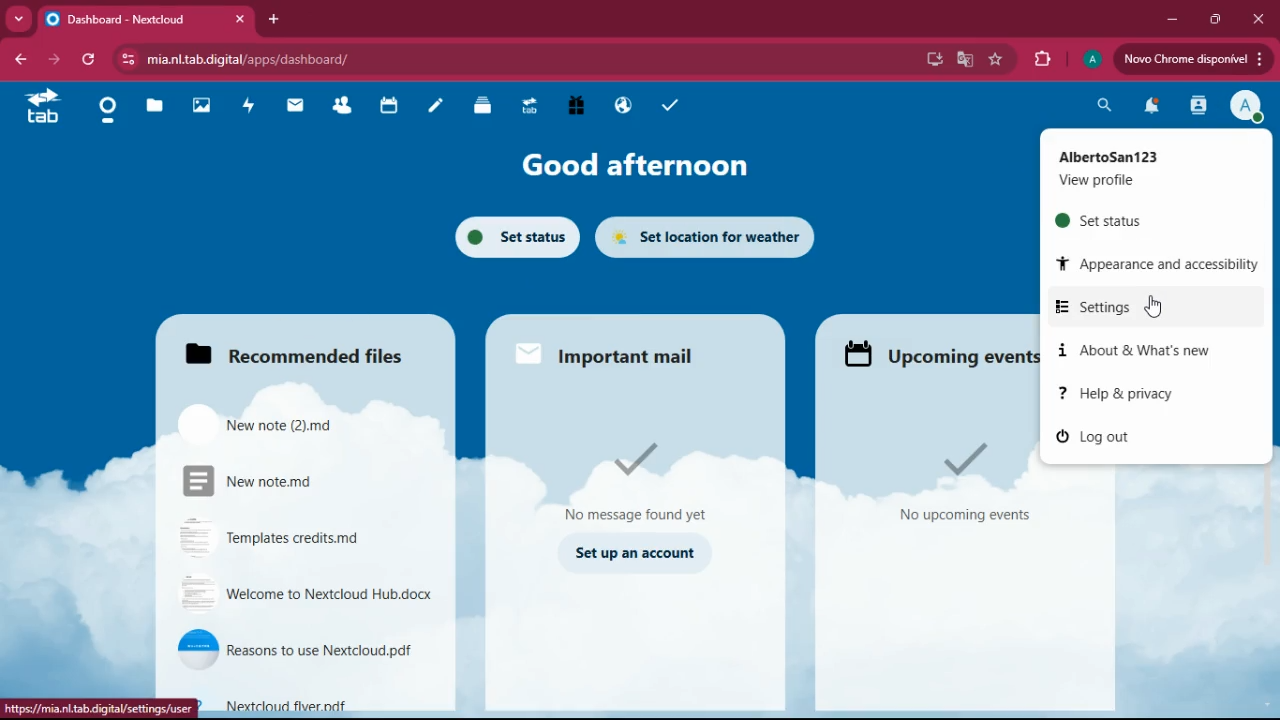 The width and height of the screenshot is (1280, 720). What do you see at coordinates (666, 106) in the screenshot?
I see `tasks` at bounding box center [666, 106].